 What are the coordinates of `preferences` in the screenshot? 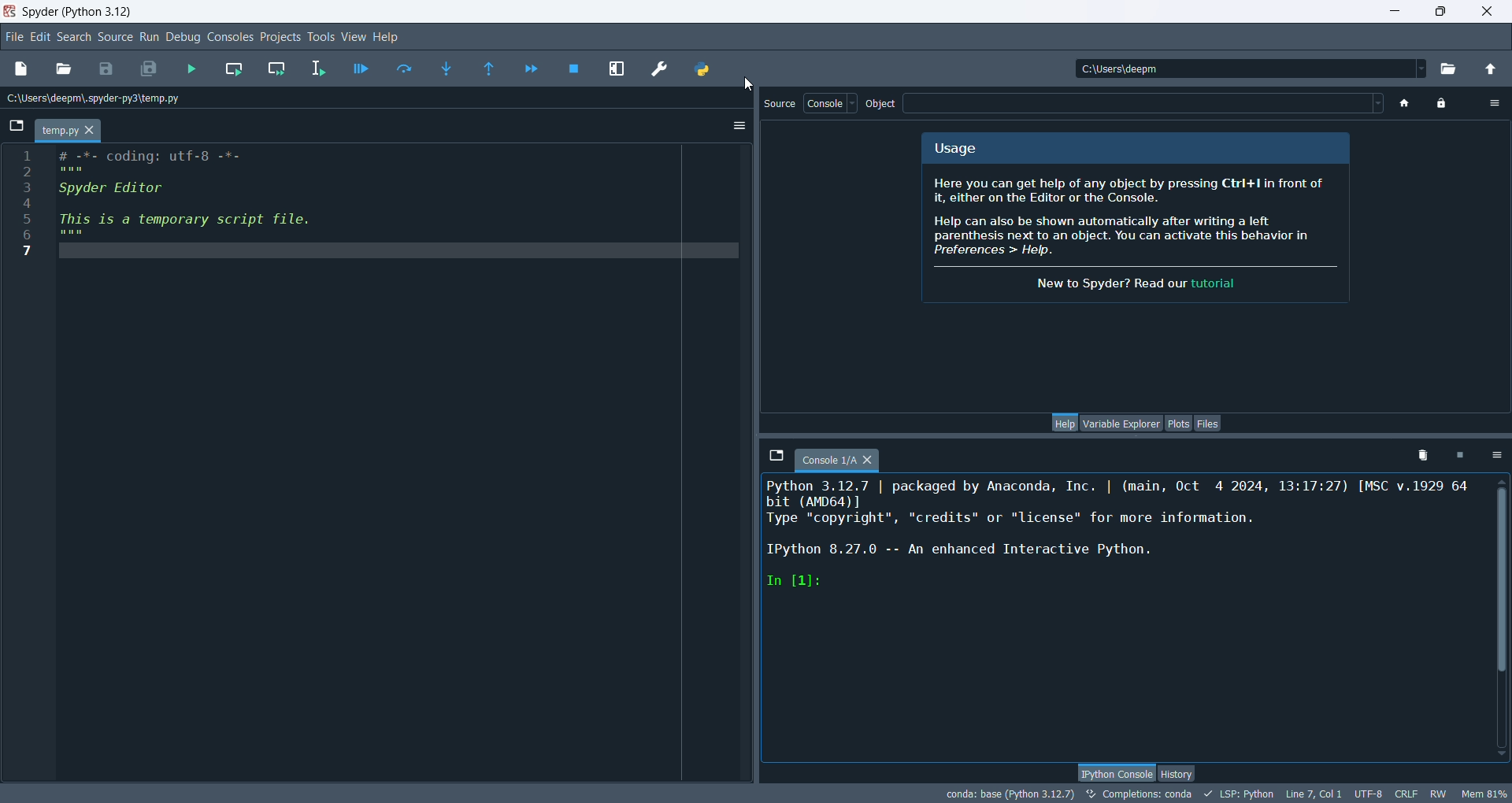 It's located at (656, 68).